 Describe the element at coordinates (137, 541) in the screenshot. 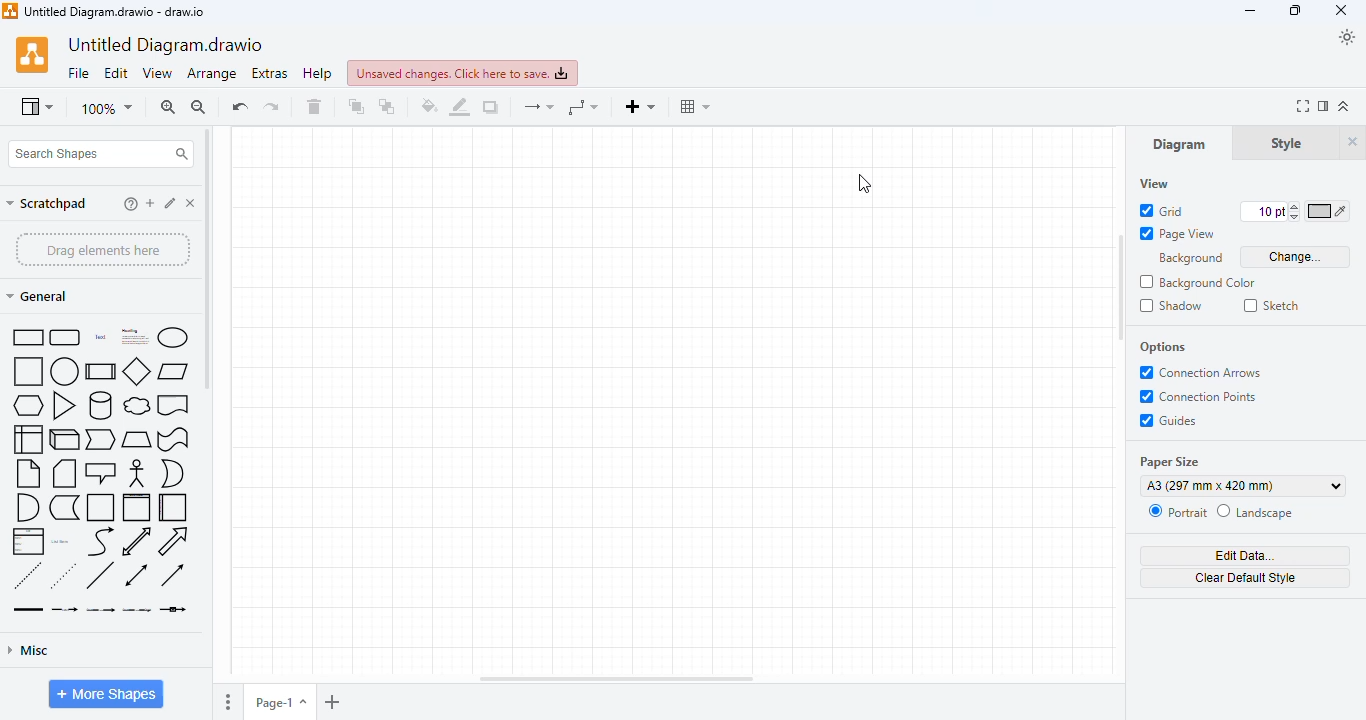

I see `bidirectional arrow` at that location.